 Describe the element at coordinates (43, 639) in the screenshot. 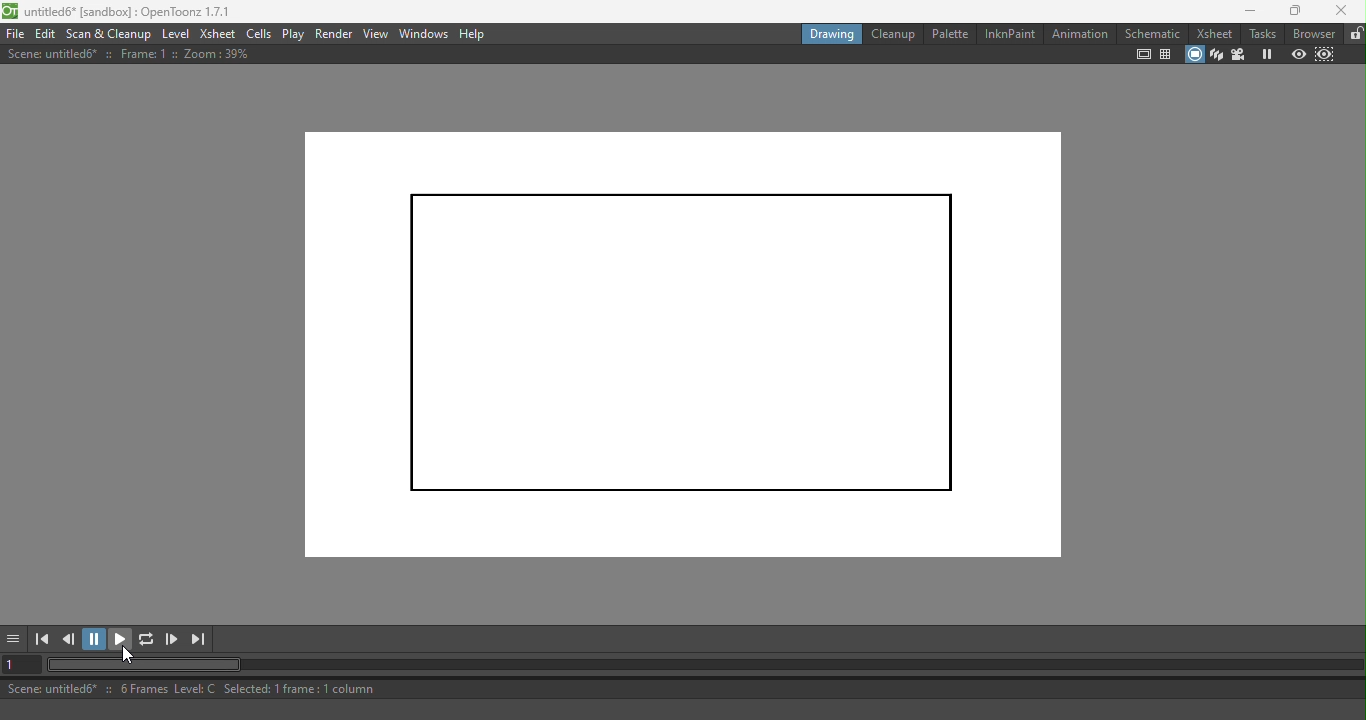

I see `First frame` at that location.